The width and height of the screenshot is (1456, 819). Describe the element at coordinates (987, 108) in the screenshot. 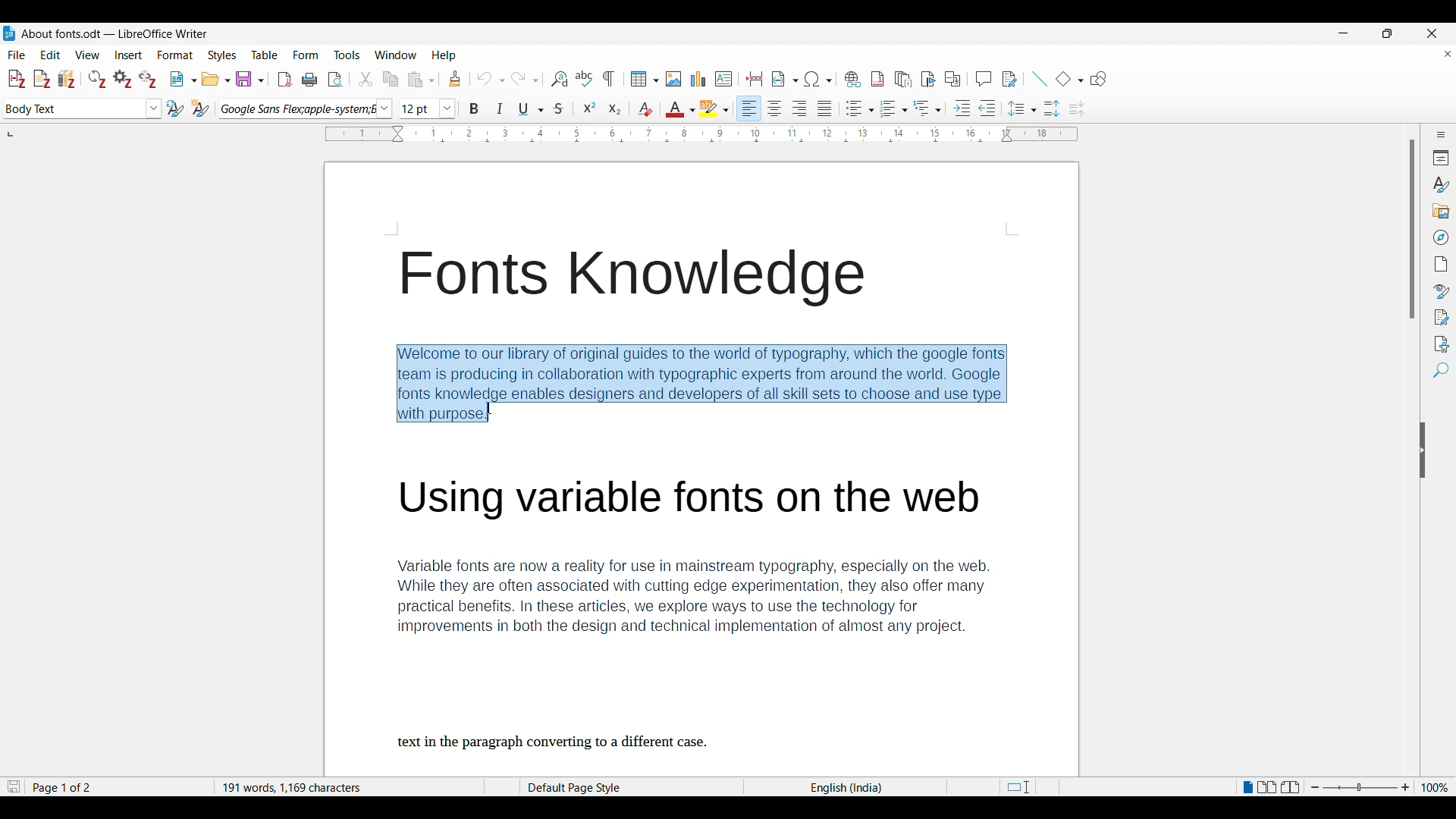

I see `Decrease indent` at that location.